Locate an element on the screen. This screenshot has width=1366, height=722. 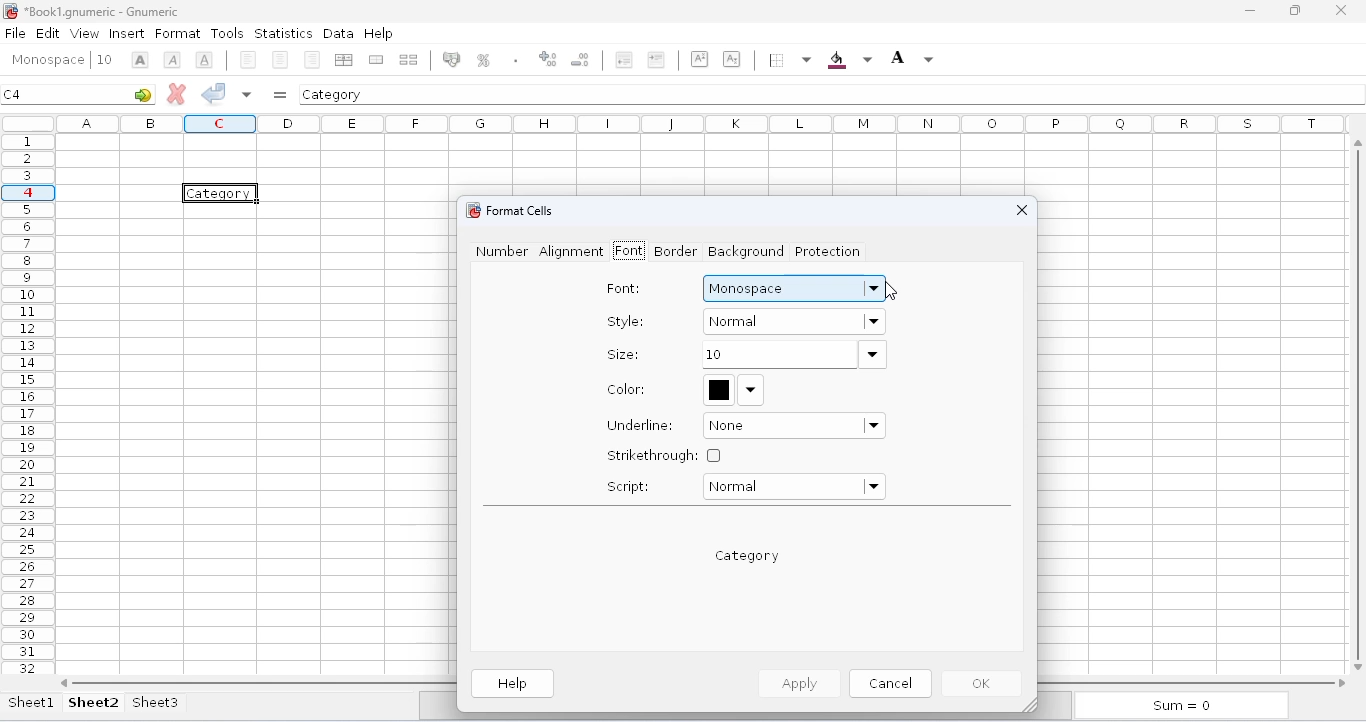
format the selection as percentage is located at coordinates (482, 60).